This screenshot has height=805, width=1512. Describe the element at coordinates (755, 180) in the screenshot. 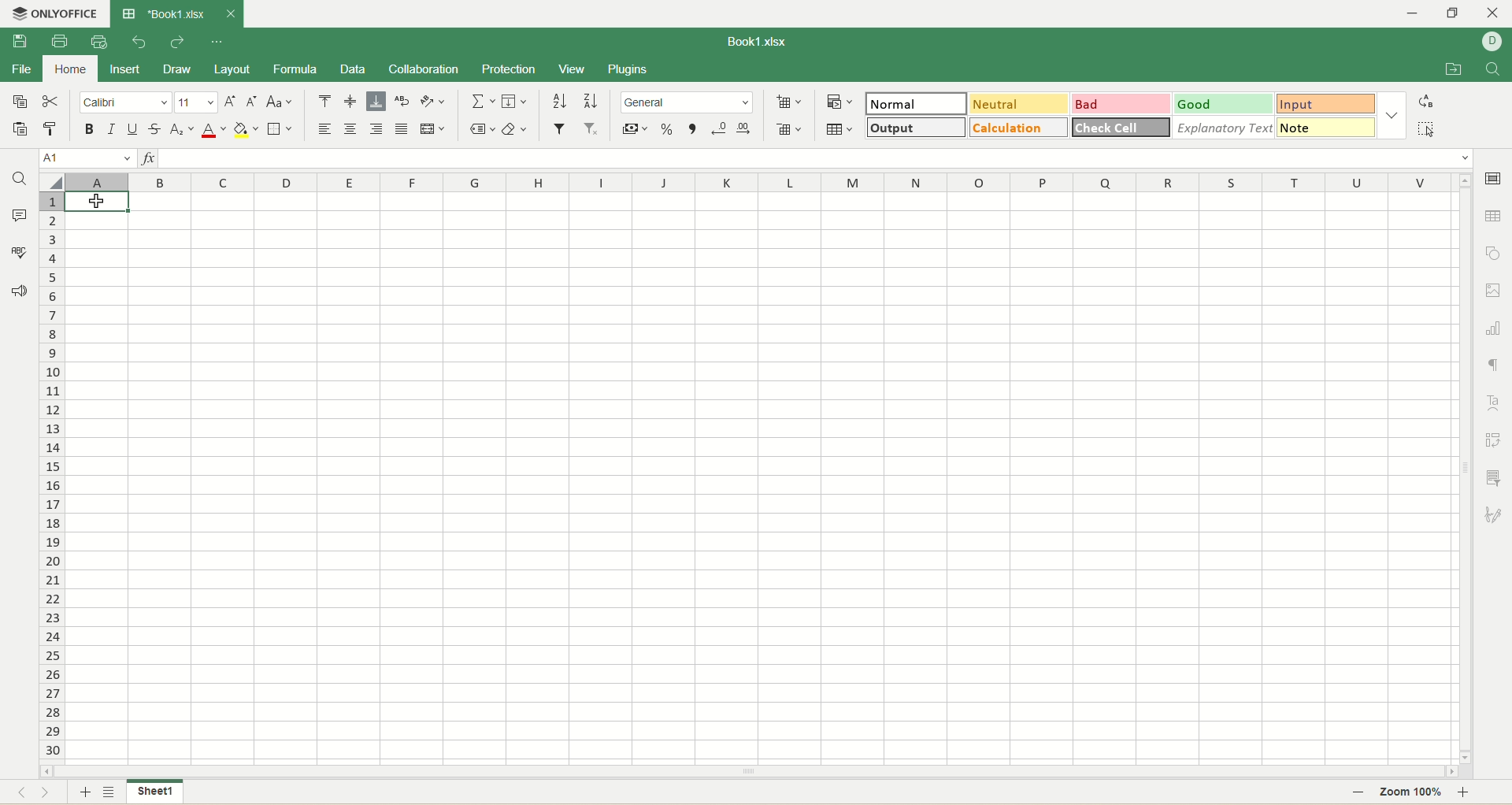

I see `column name` at that location.